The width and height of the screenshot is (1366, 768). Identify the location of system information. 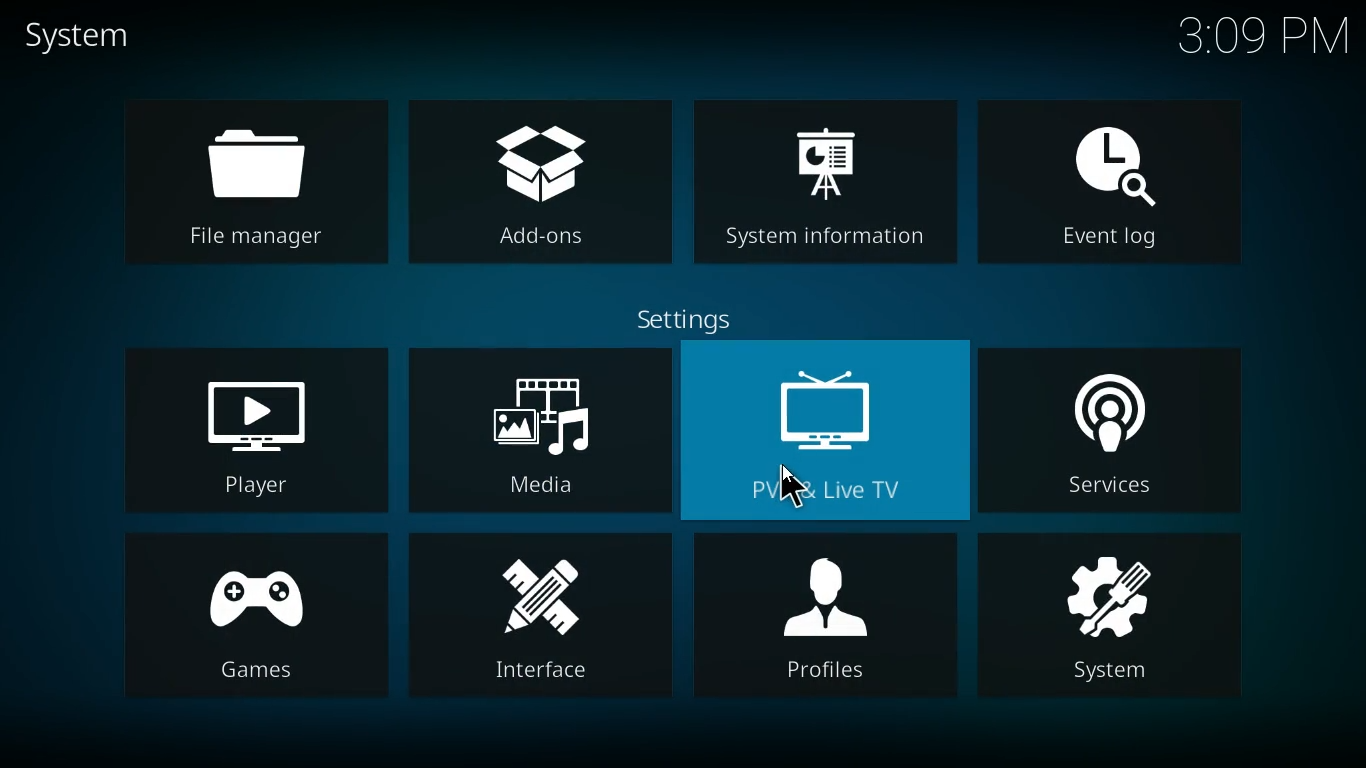
(830, 185).